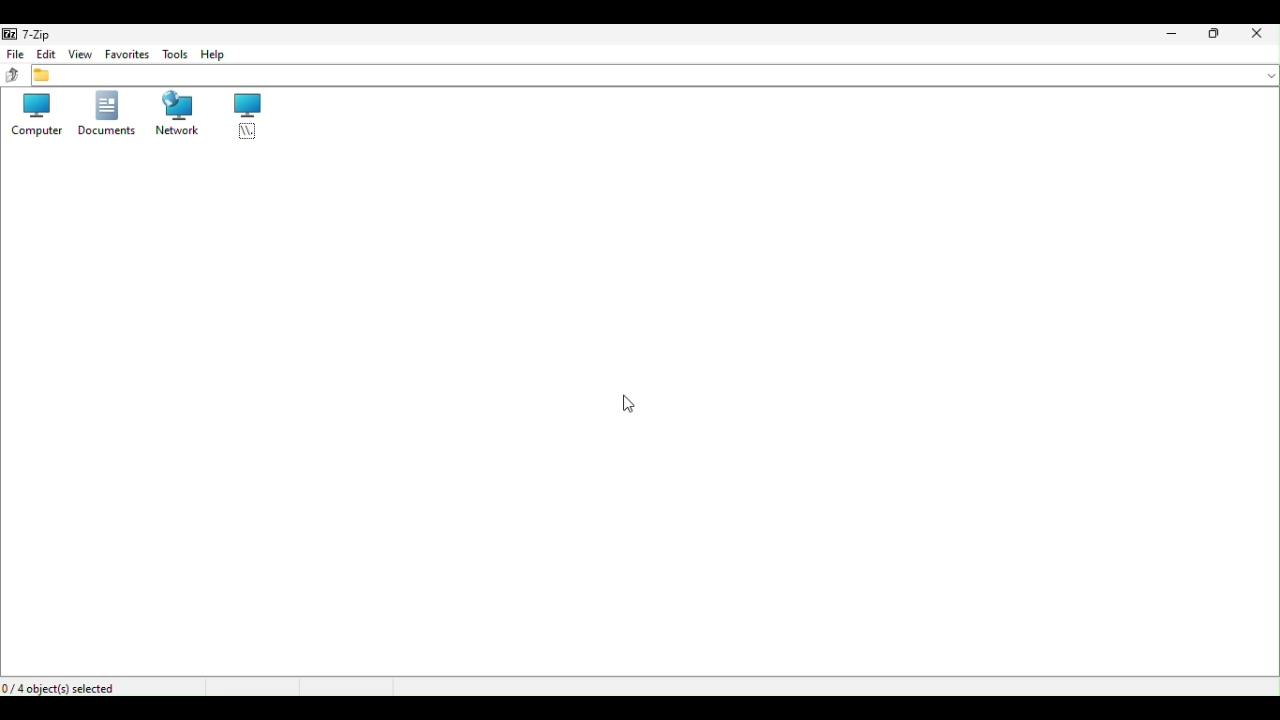 This screenshot has height=720, width=1280. Describe the element at coordinates (655, 76) in the screenshot. I see `File address bar` at that location.